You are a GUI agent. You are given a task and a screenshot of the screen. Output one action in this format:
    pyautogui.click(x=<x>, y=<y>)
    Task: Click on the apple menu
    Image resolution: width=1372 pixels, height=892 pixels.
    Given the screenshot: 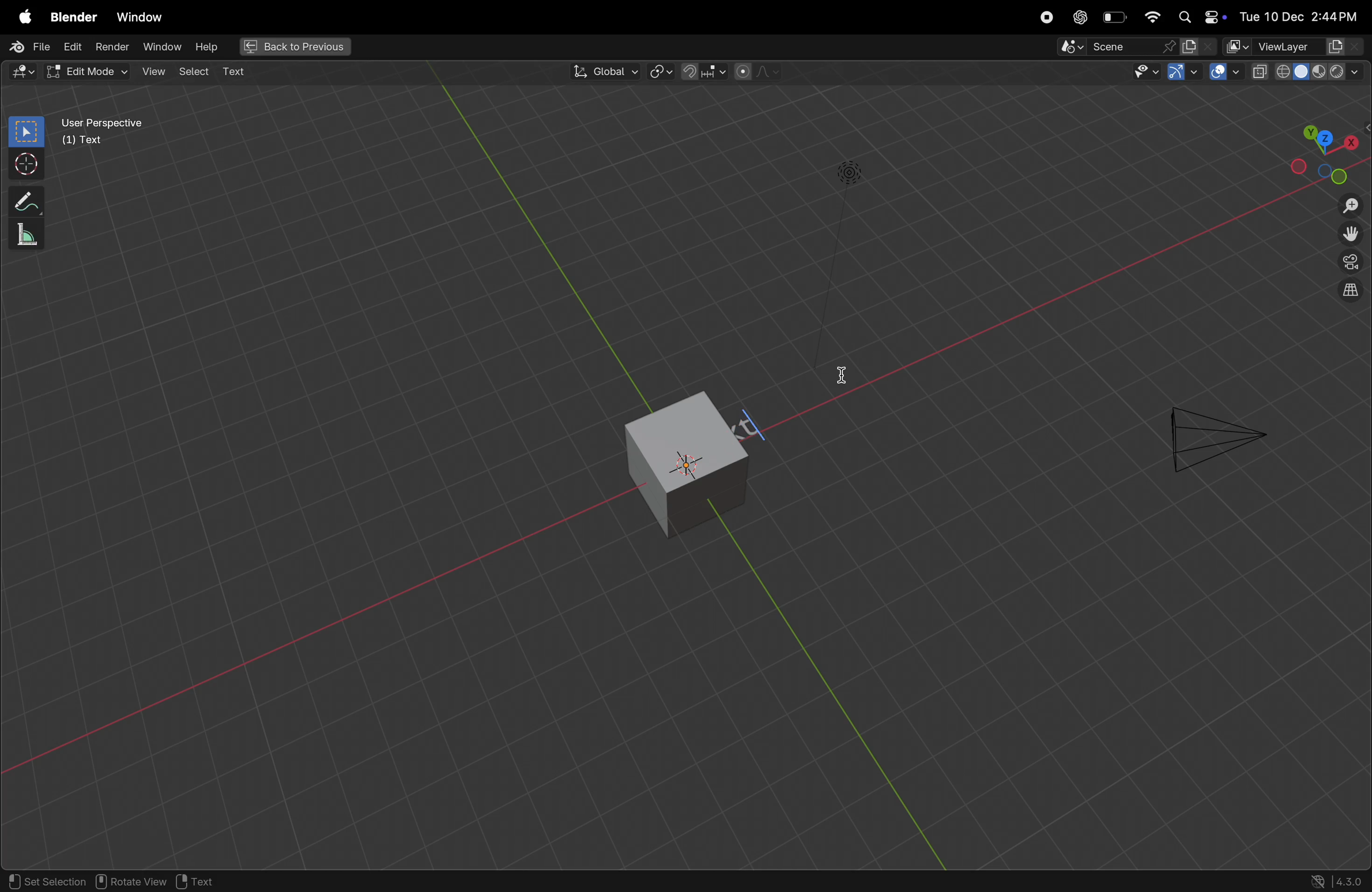 What is the action you would take?
    pyautogui.click(x=22, y=17)
    